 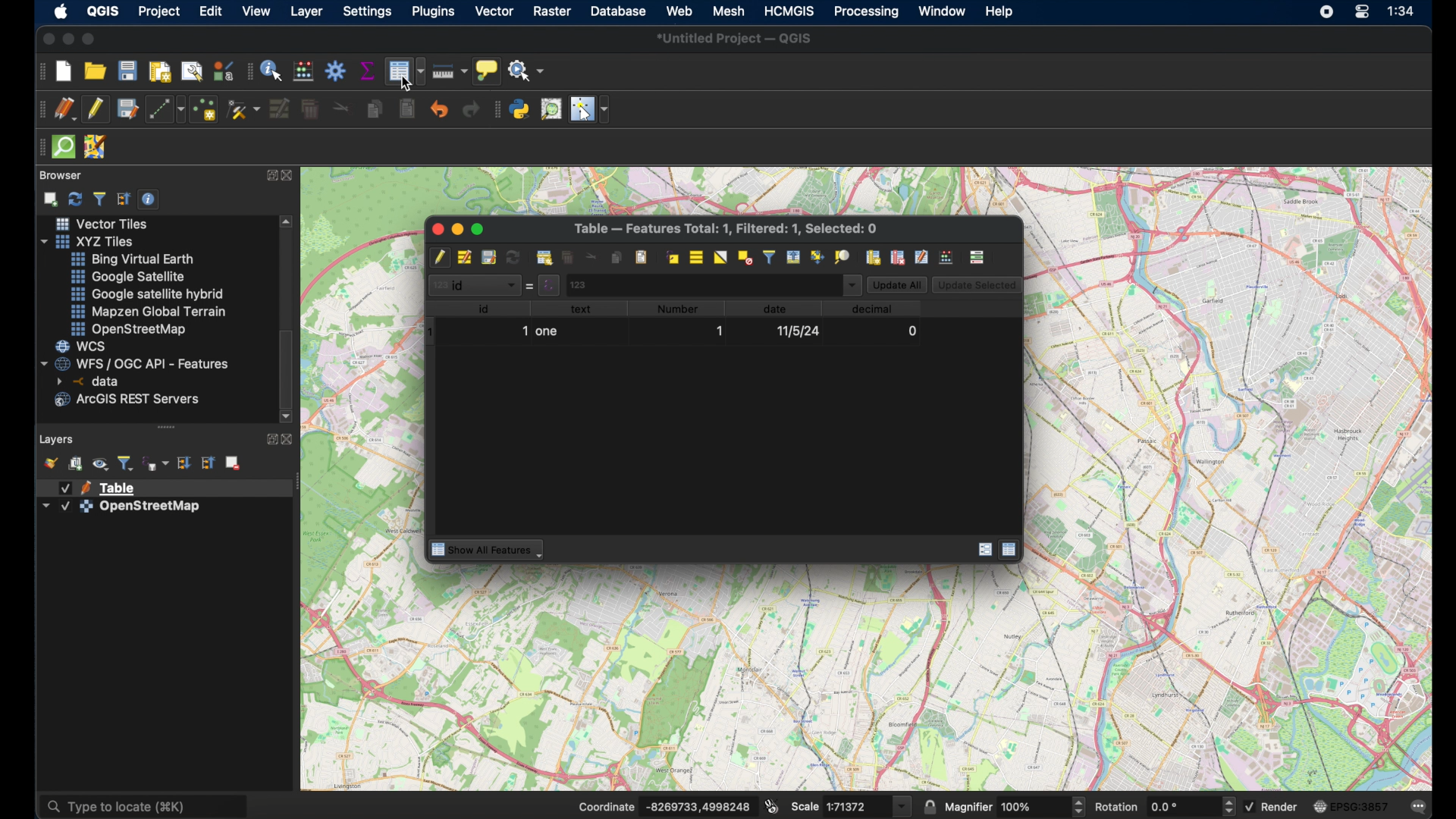 What do you see at coordinates (1012, 551) in the screenshot?
I see `switch to table view` at bounding box center [1012, 551].